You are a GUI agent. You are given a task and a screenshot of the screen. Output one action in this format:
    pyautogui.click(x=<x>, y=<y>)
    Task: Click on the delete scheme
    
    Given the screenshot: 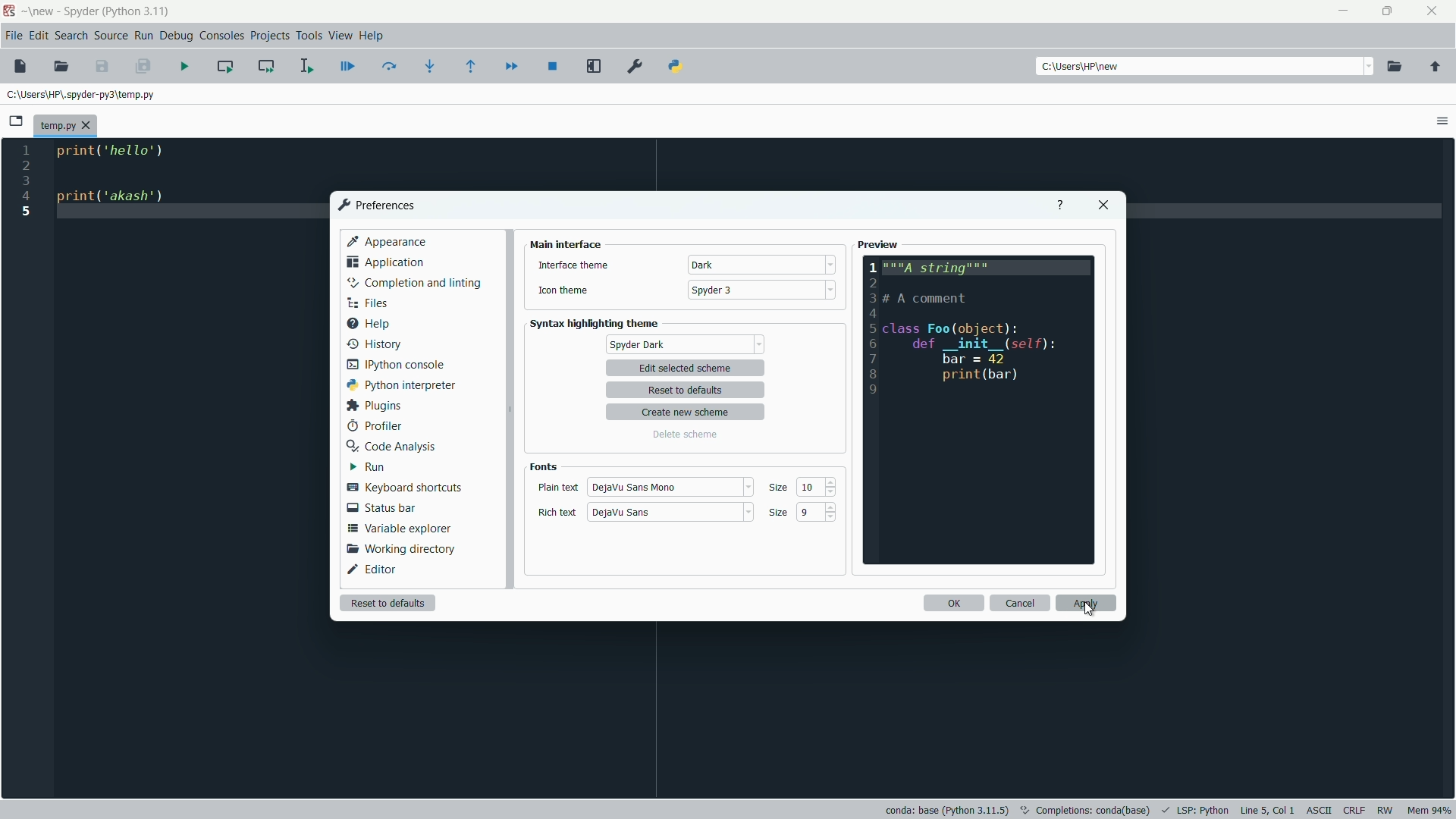 What is the action you would take?
    pyautogui.click(x=684, y=435)
    